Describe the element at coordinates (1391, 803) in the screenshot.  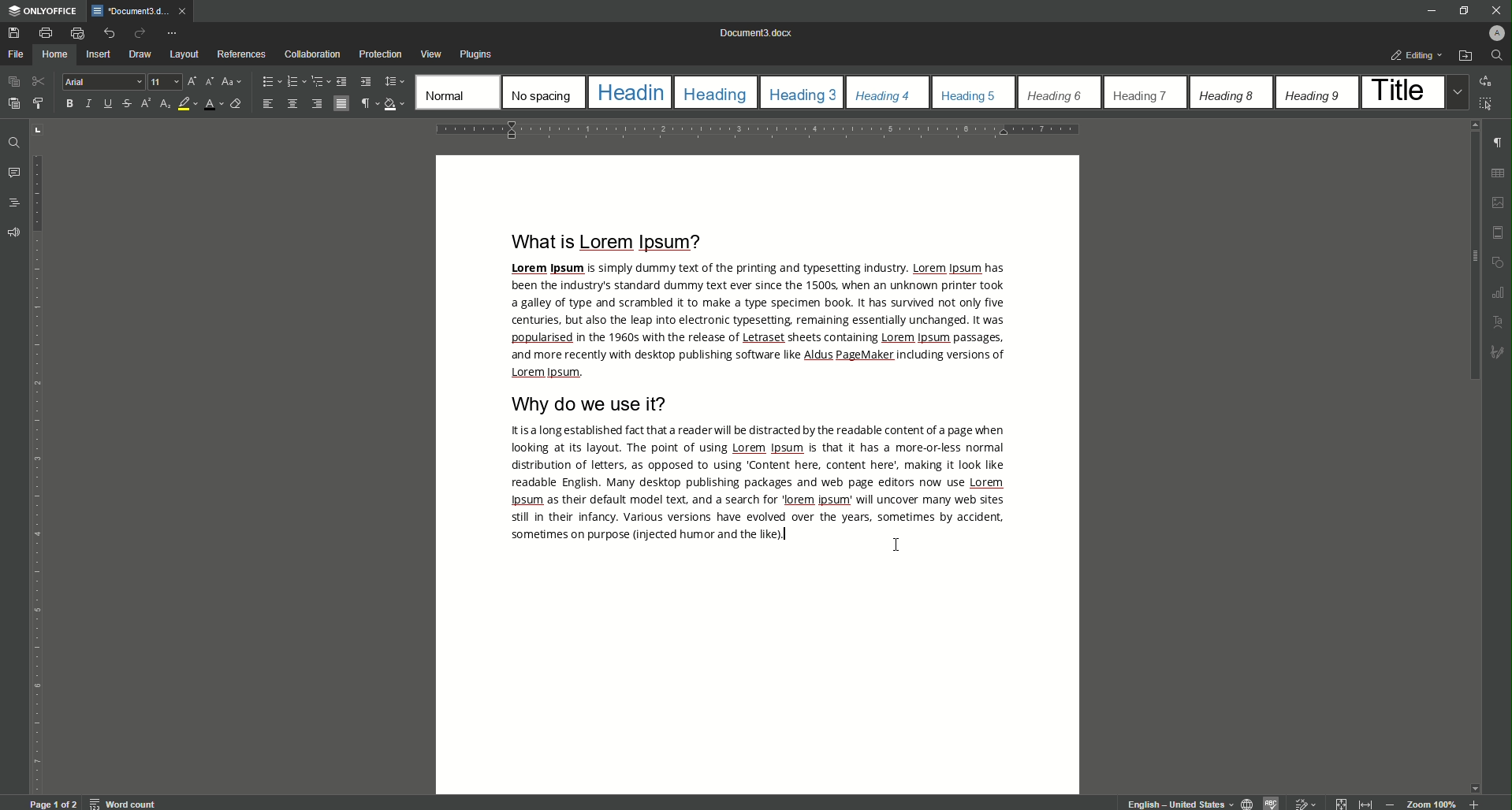
I see `Zoom Out` at that location.